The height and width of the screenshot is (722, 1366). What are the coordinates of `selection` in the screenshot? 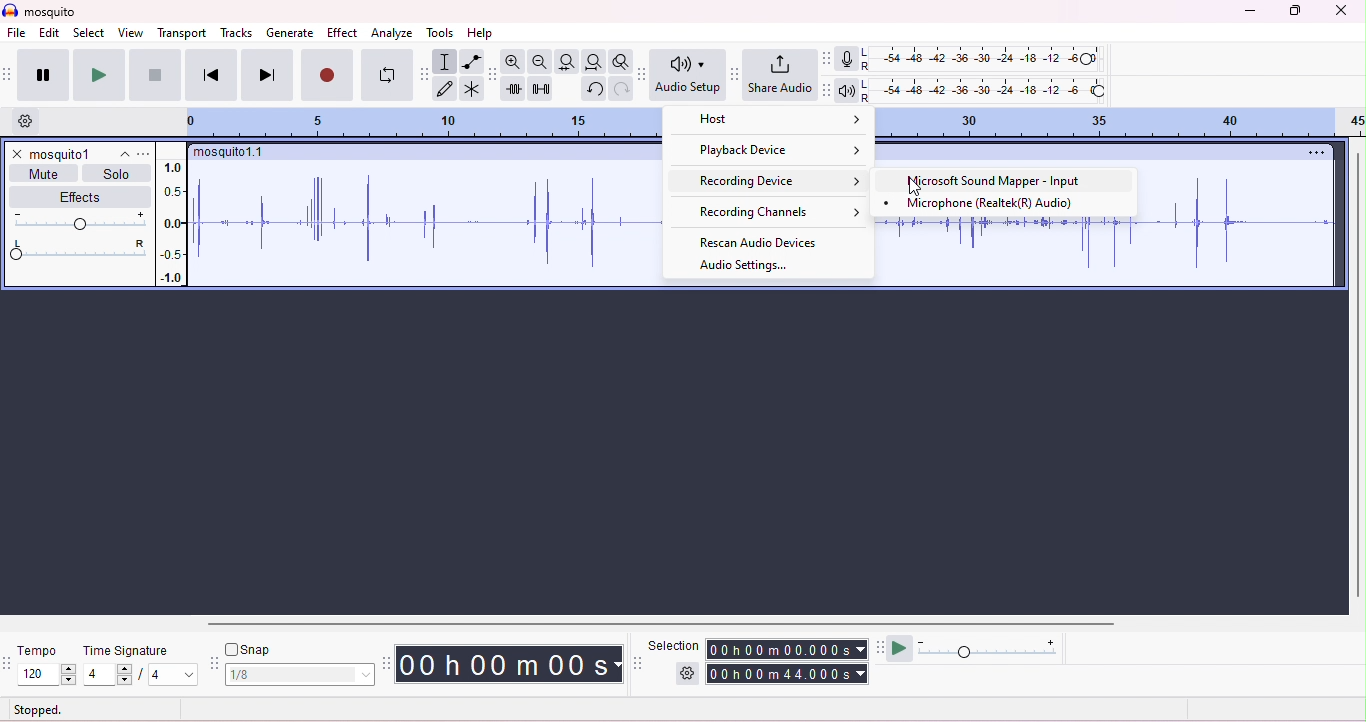 It's located at (444, 62).